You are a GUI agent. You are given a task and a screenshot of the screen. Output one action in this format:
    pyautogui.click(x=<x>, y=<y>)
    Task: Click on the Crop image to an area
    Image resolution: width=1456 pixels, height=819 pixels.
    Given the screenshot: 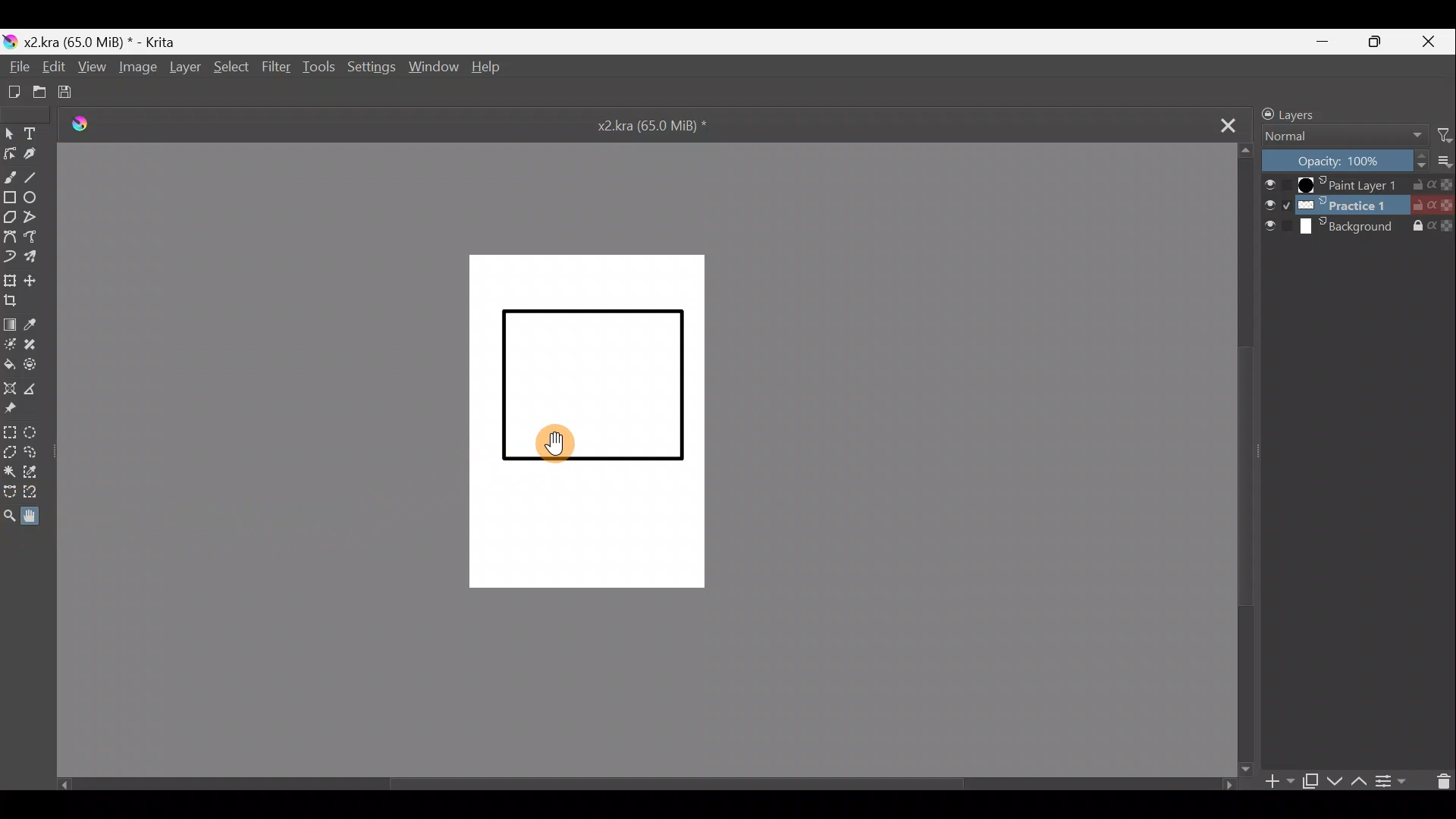 What is the action you would take?
    pyautogui.click(x=14, y=301)
    